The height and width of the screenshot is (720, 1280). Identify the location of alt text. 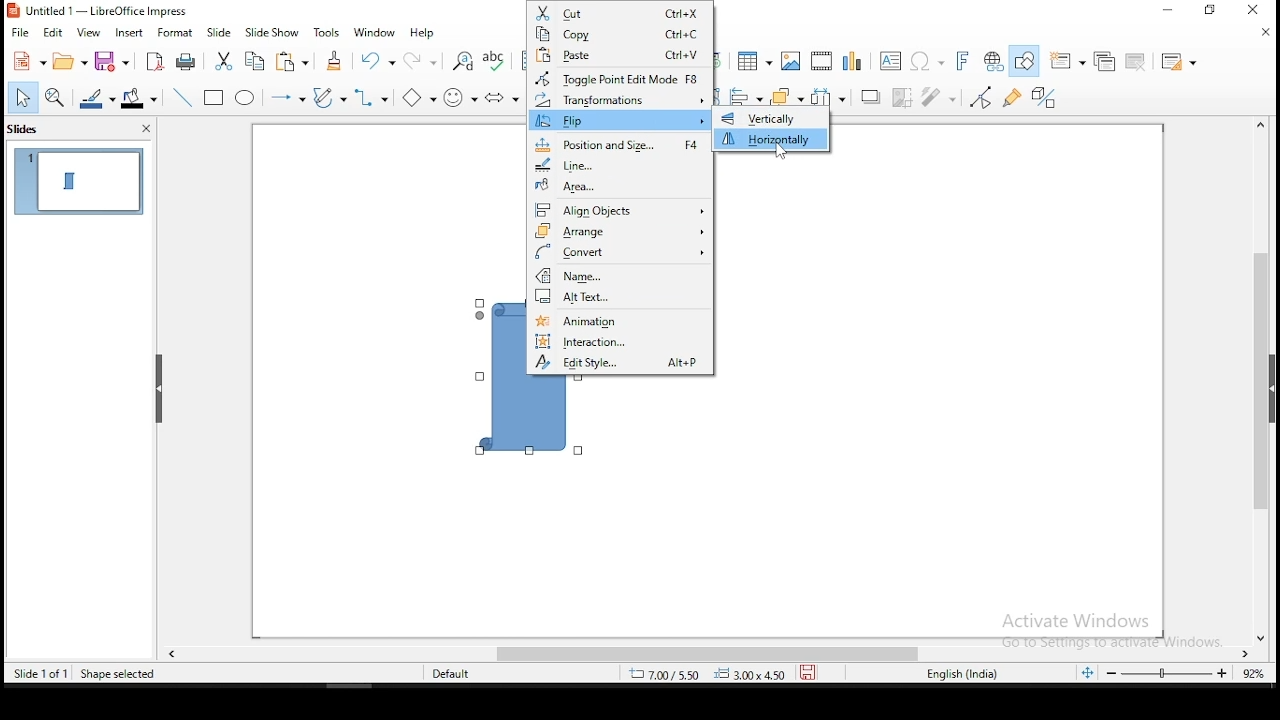
(620, 296).